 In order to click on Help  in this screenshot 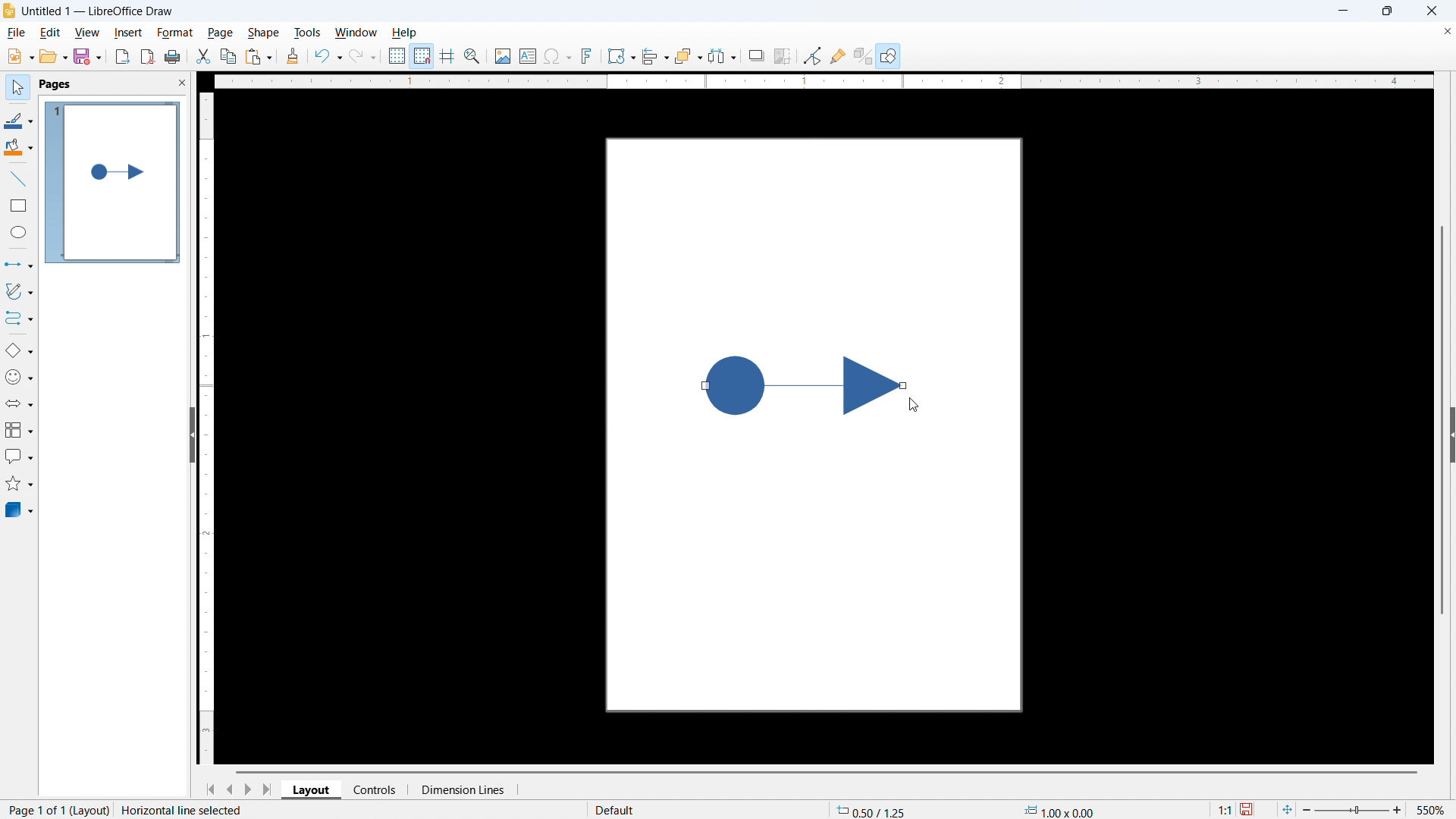, I will do `click(403, 33)`.